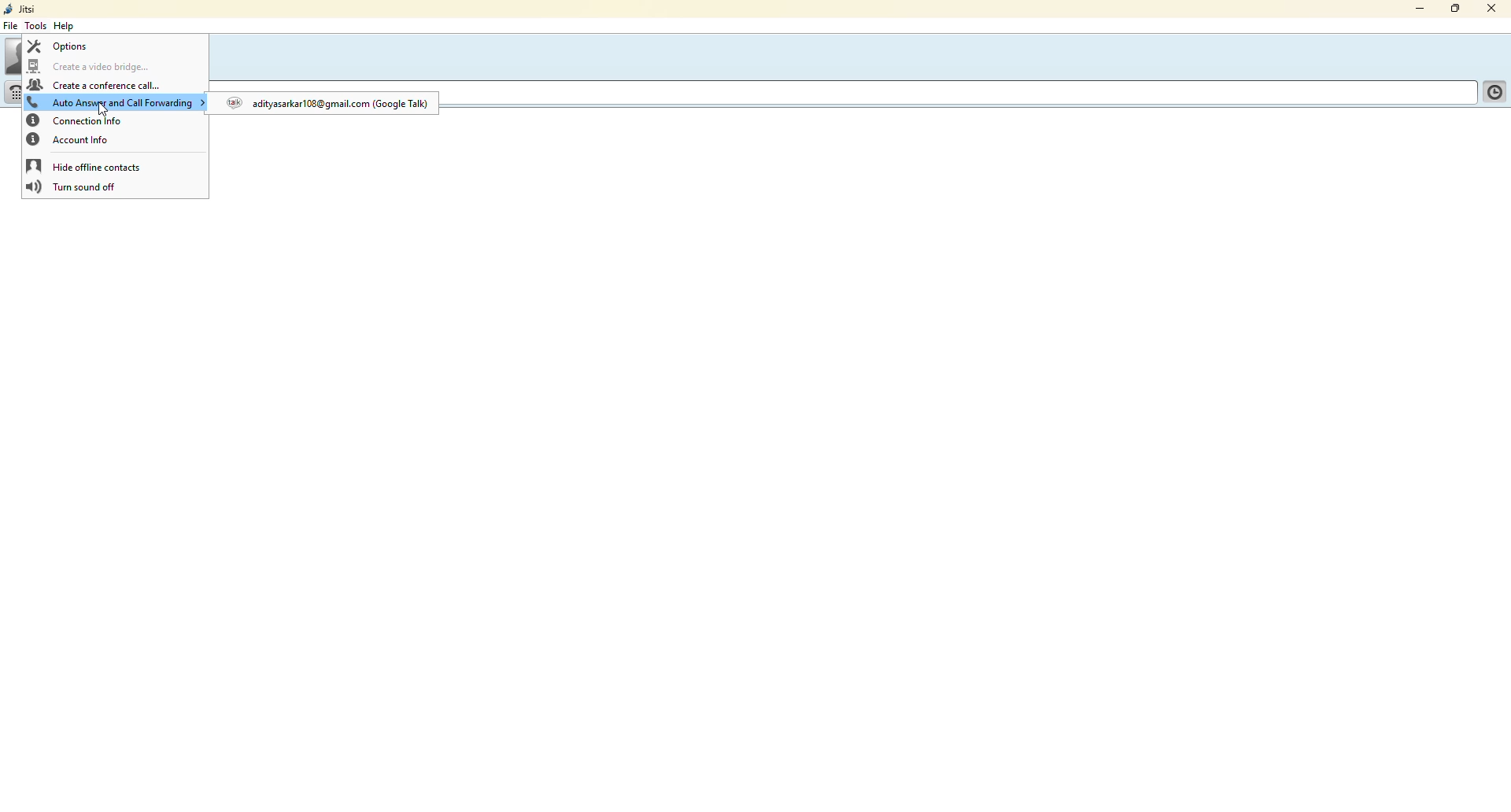 The height and width of the screenshot is (812, 1511). I want to click on close, so click(1494, 8).